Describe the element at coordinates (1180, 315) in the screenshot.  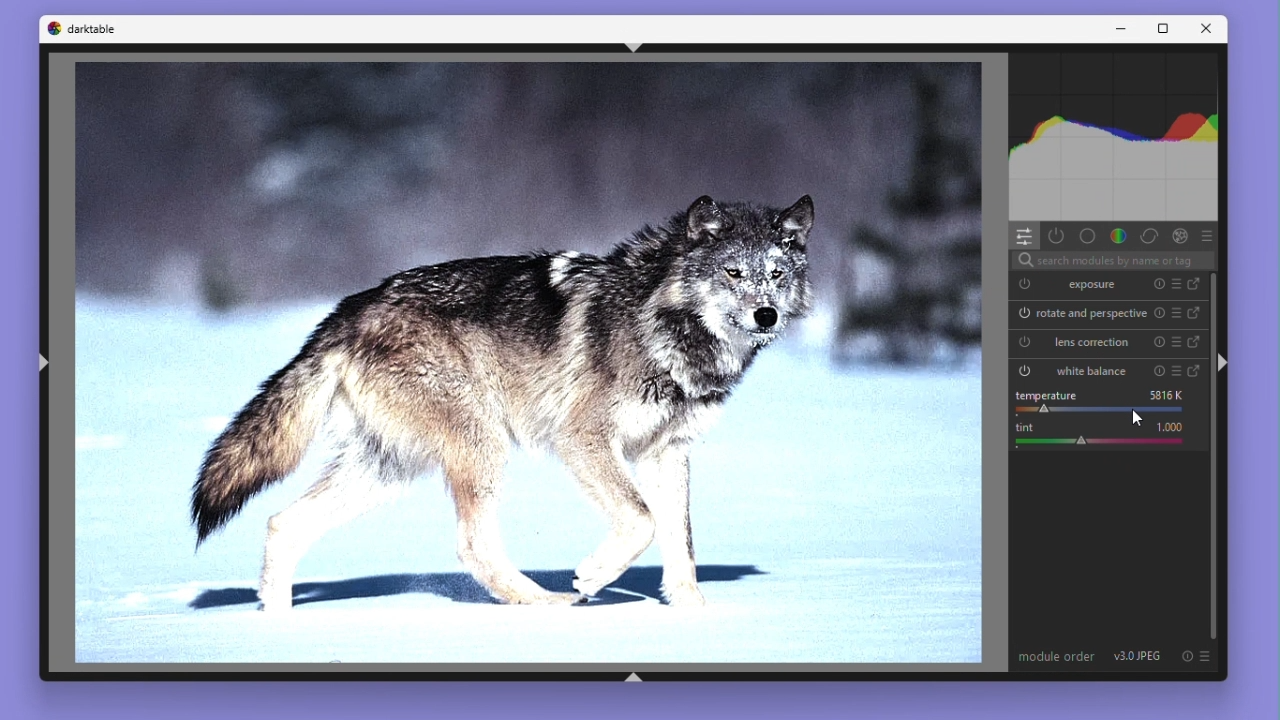
I see `Preset` at that location.